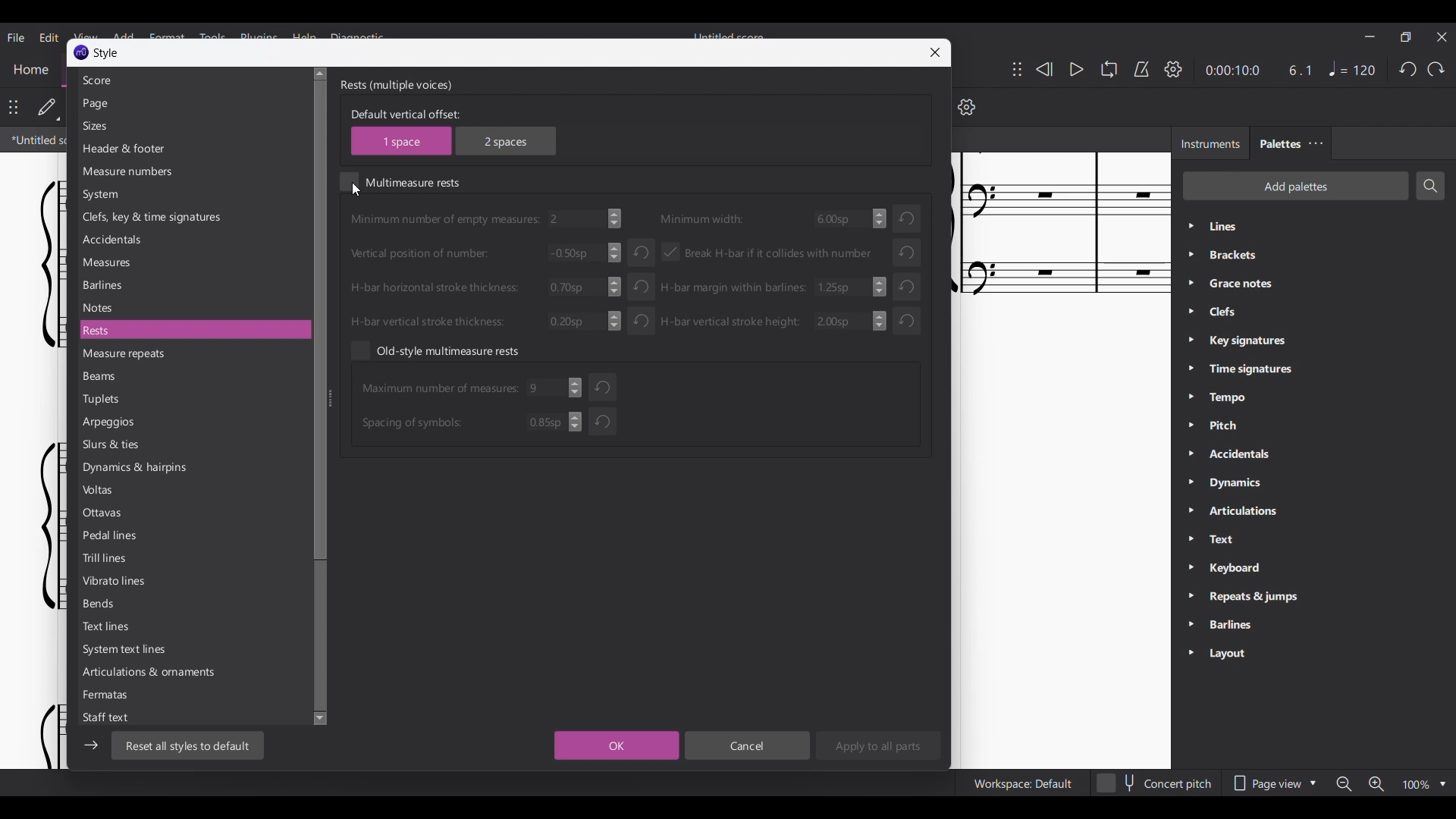 Image resolution: width=1456 pixels, height=819 pixels. What do you see at coordinates (1109, 69) in the screenshot?
I see `Looping playback` at bounding box center [1109, 69].